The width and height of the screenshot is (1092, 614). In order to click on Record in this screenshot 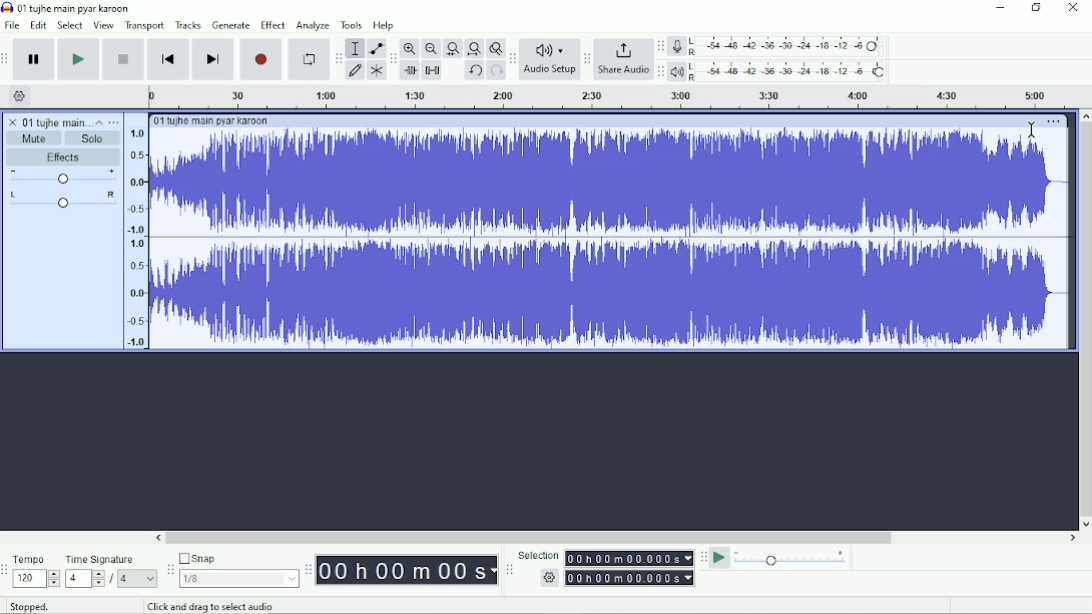, I will do `click(262, 60)`.